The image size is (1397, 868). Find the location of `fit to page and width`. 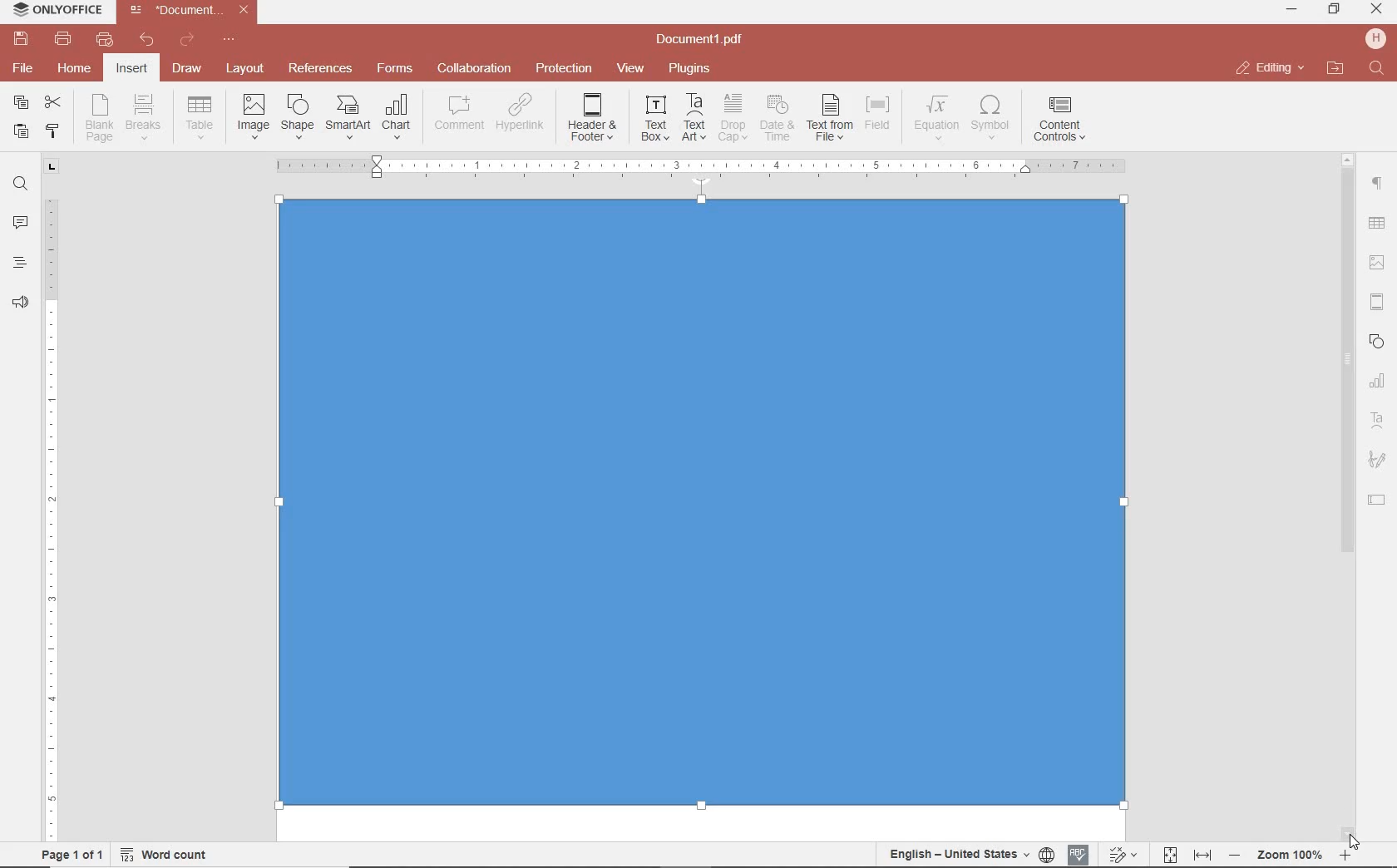

fit to page and width is located at coordinates (1184, 856).